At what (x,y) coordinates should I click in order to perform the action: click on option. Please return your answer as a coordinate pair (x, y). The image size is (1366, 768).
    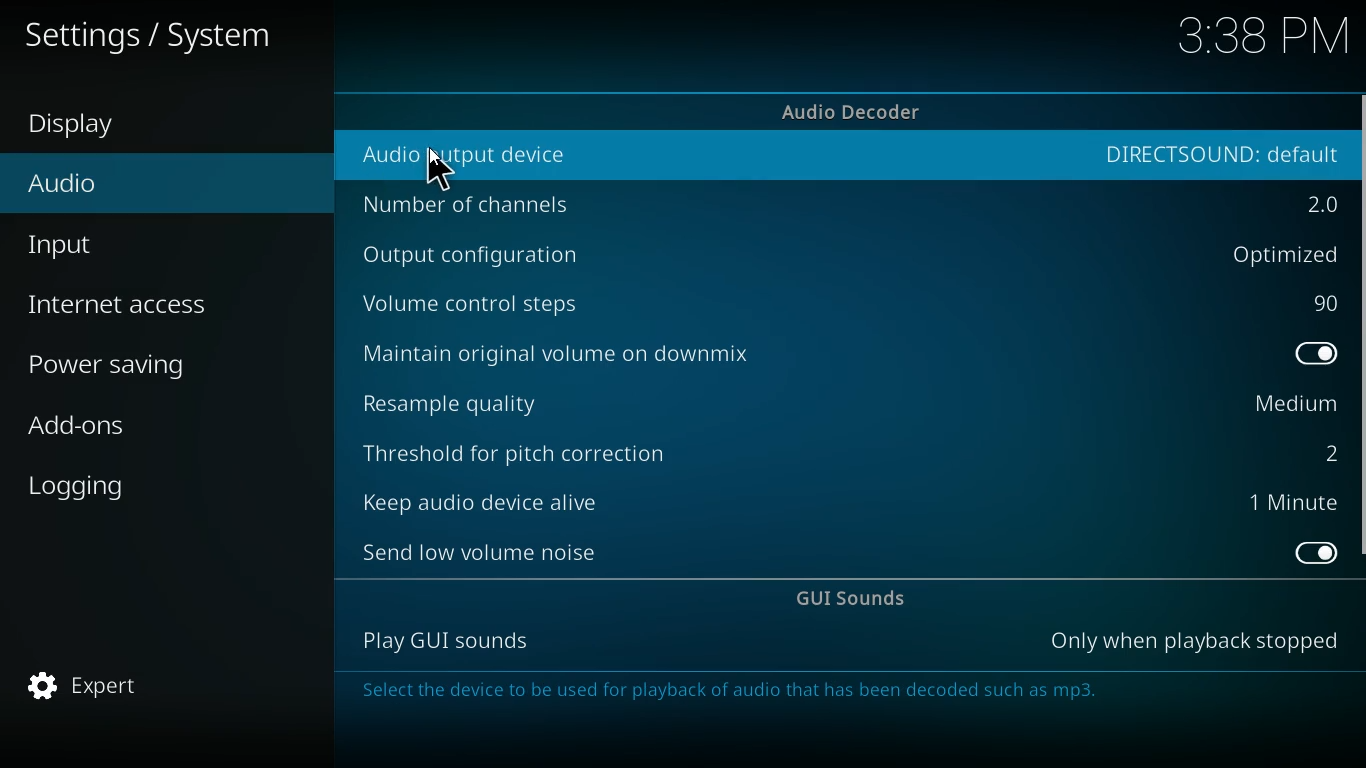
    Looking at the image, I should click on (1299, 504).